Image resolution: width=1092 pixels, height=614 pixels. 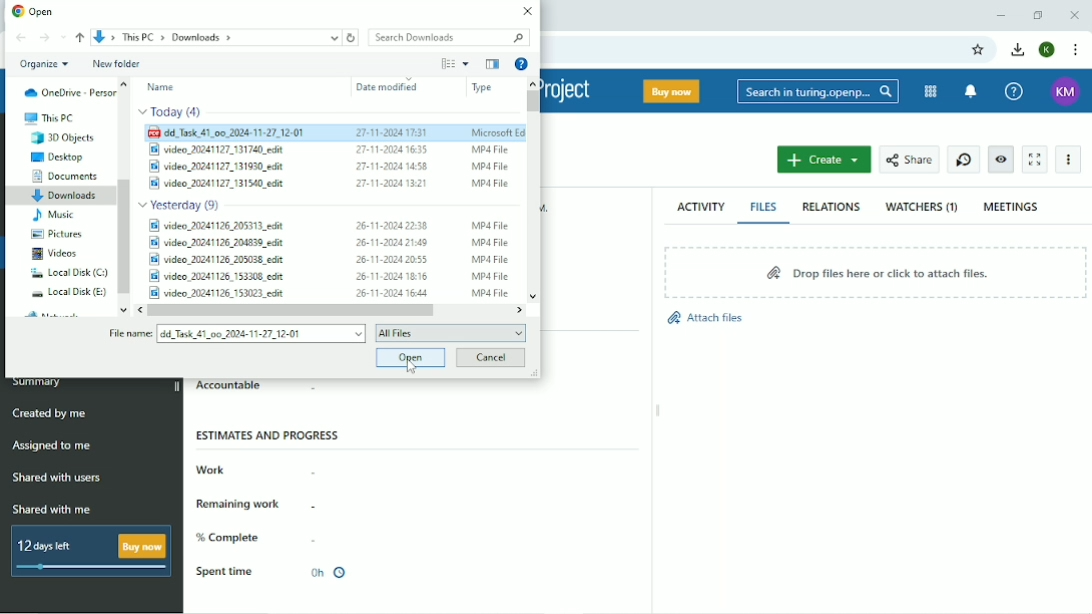 What do you see at coordinates (136, 310) in the screenshot?
I see `scroll left` at bounding box center [136, 310].